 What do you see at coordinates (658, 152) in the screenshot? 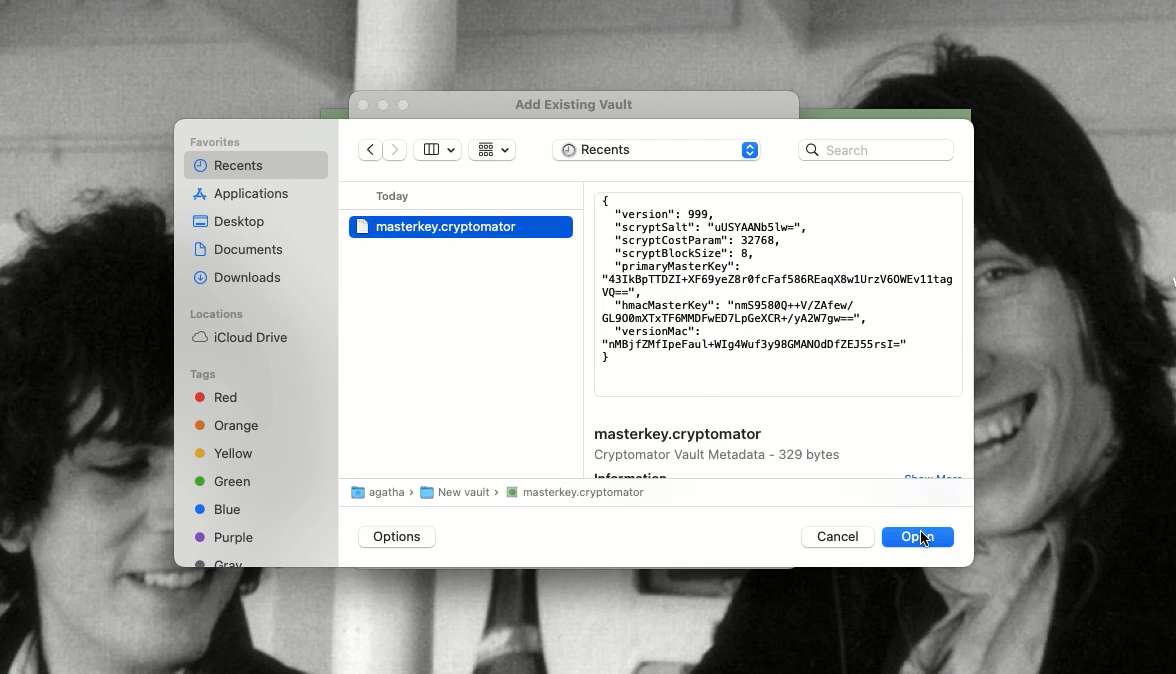
I see `Recents` at bounding box center [658, 152].